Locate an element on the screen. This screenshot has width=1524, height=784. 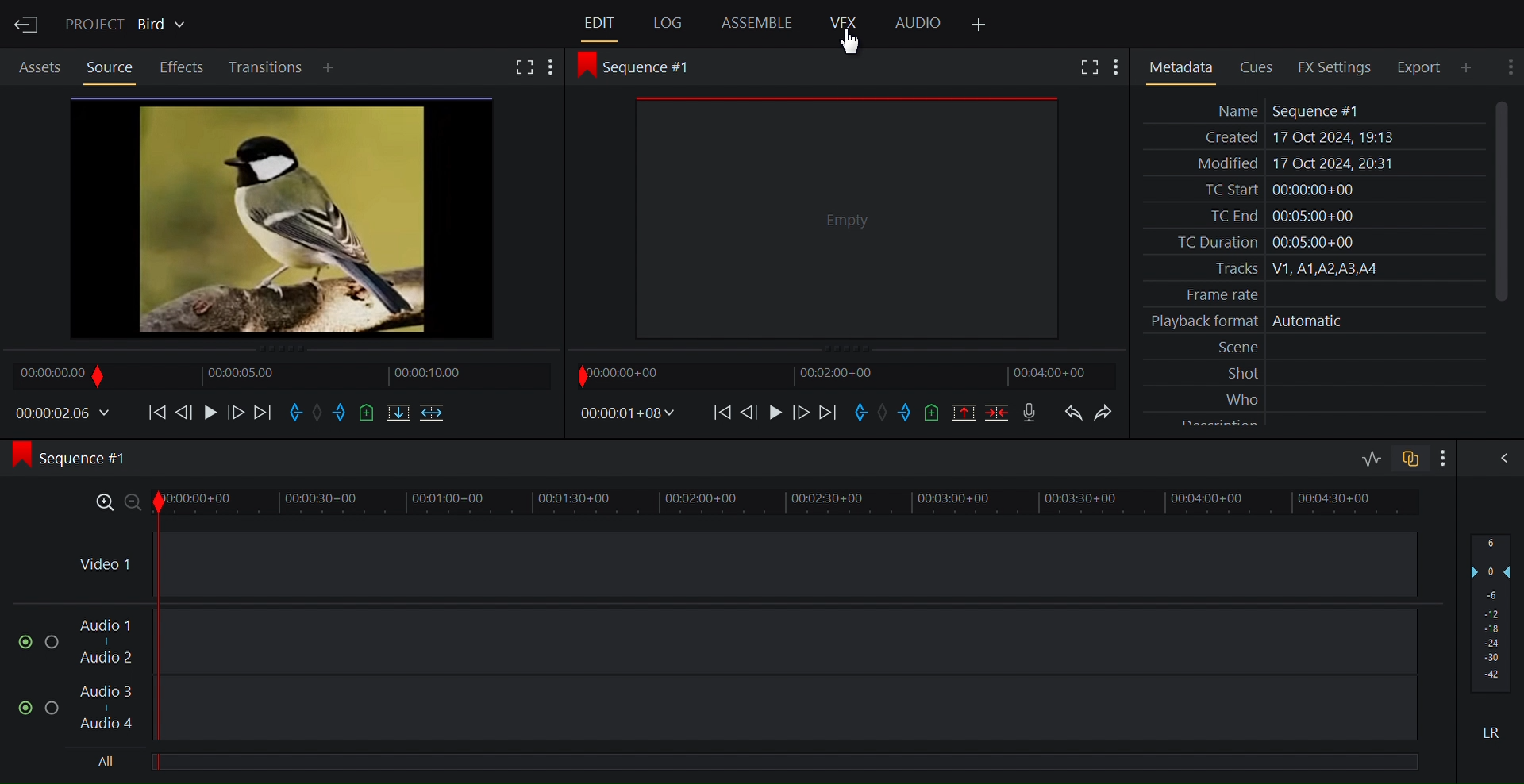
Mark in is located at coordinates (858, 412).